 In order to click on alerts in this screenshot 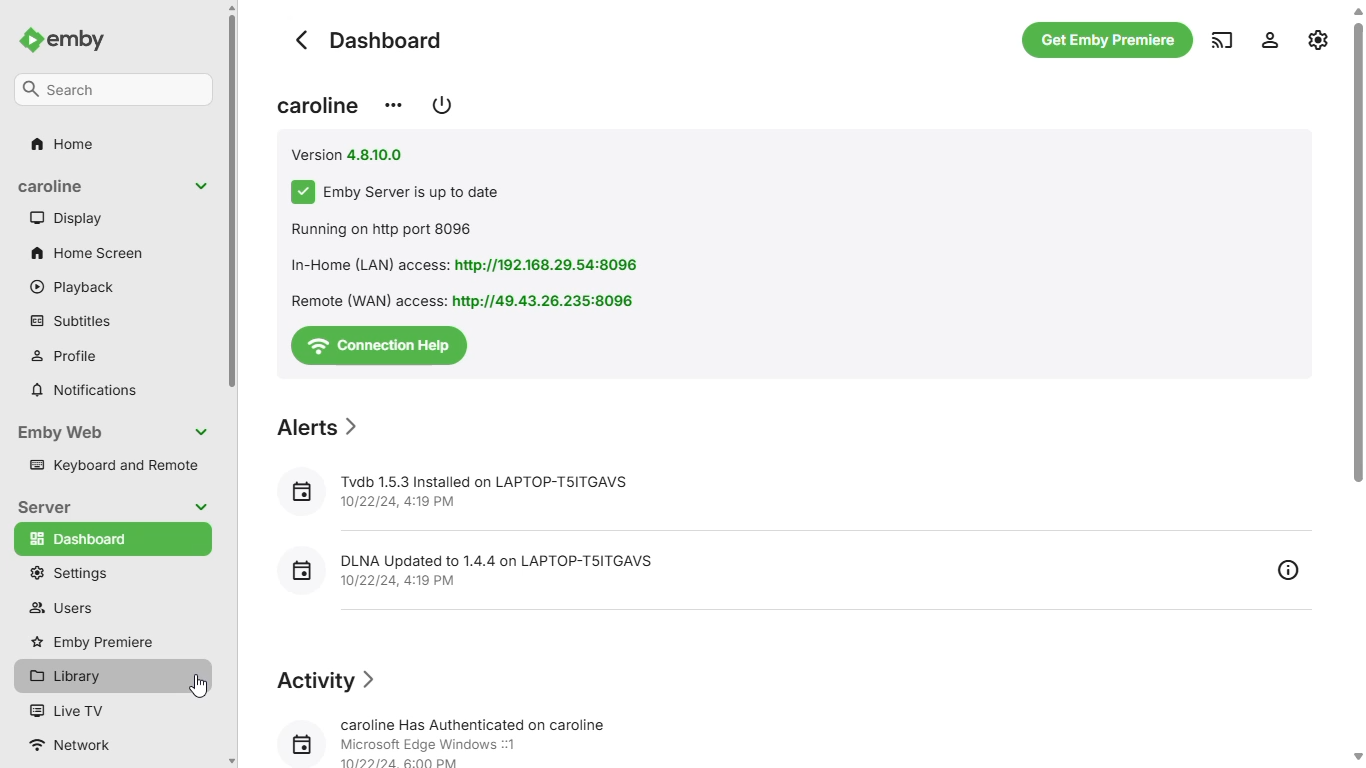, I will do `click(318, 427)`.